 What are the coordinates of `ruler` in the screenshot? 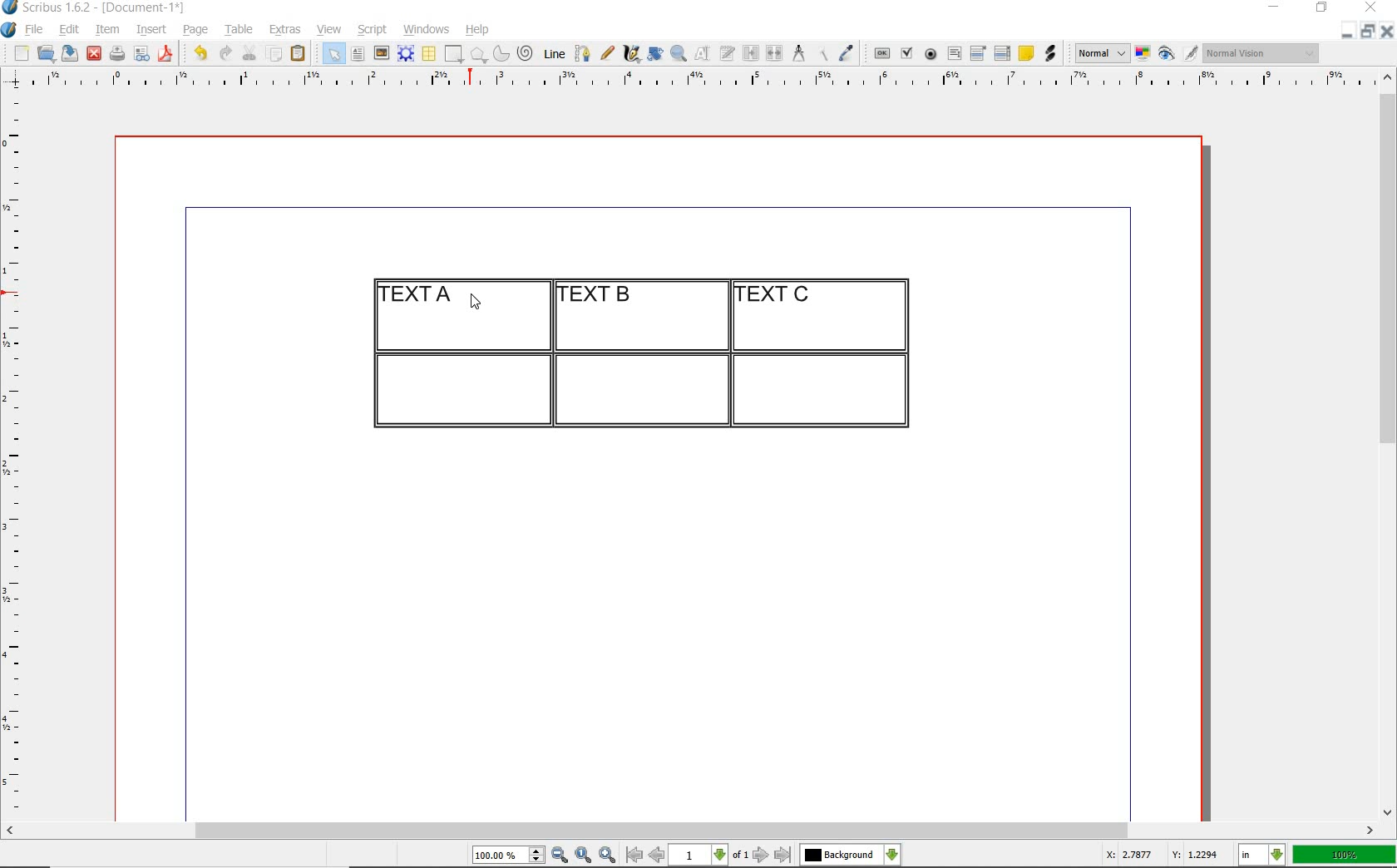 It's located at (709, 81).